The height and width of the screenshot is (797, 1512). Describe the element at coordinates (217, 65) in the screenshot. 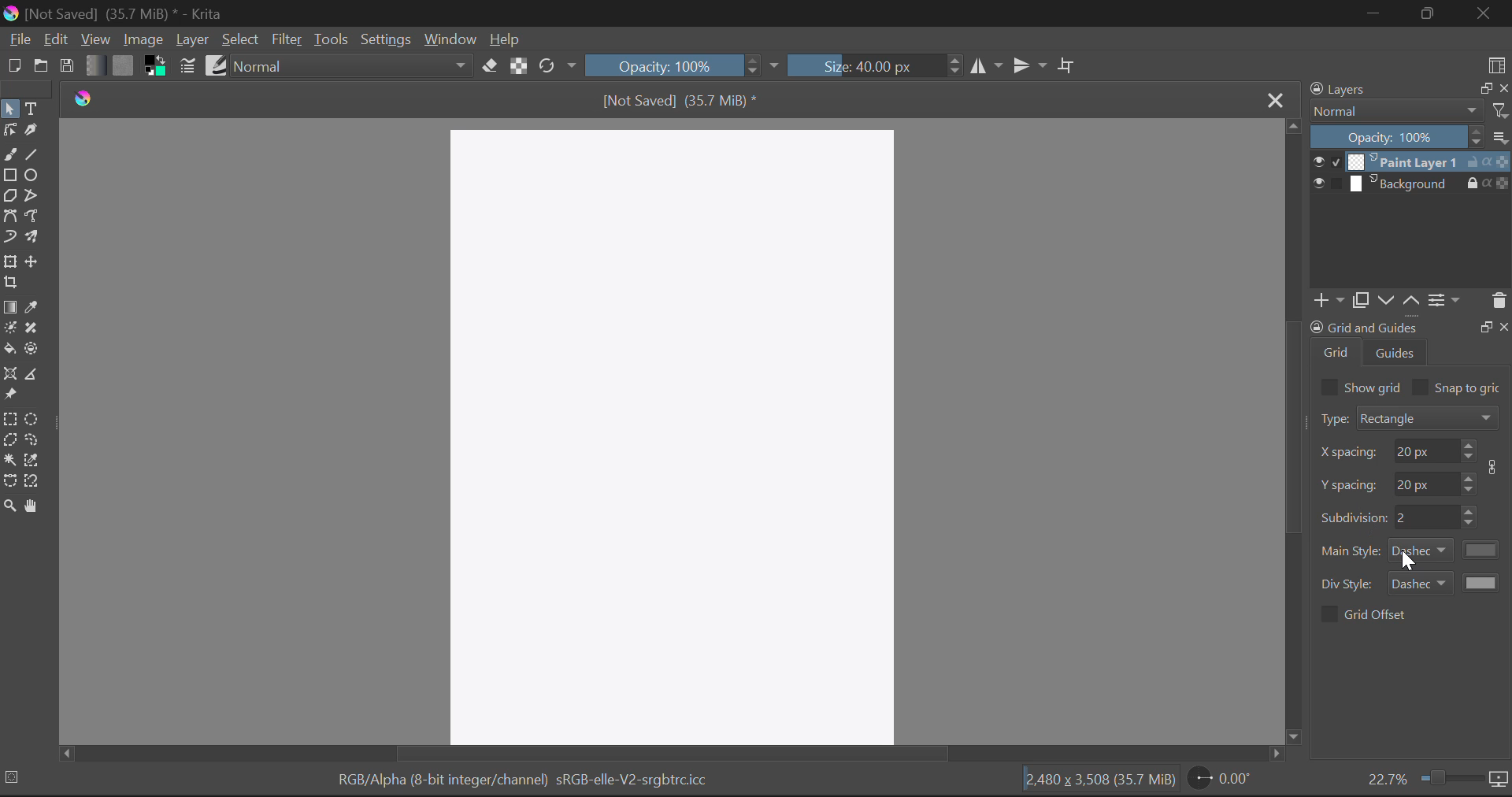

I see `Brush Presets` at that location.